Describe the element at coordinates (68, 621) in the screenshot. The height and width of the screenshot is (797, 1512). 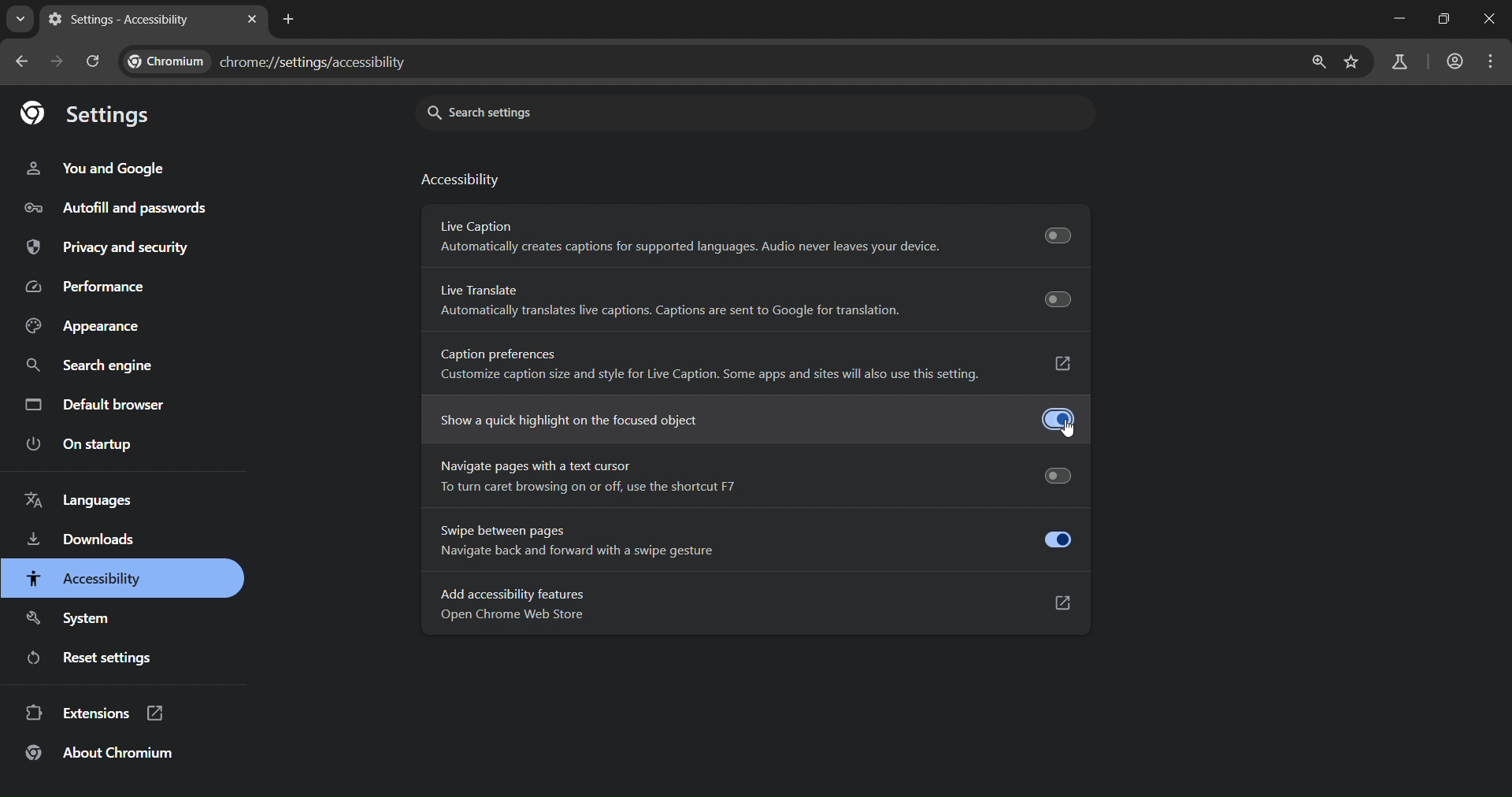
I see `system` at that location.